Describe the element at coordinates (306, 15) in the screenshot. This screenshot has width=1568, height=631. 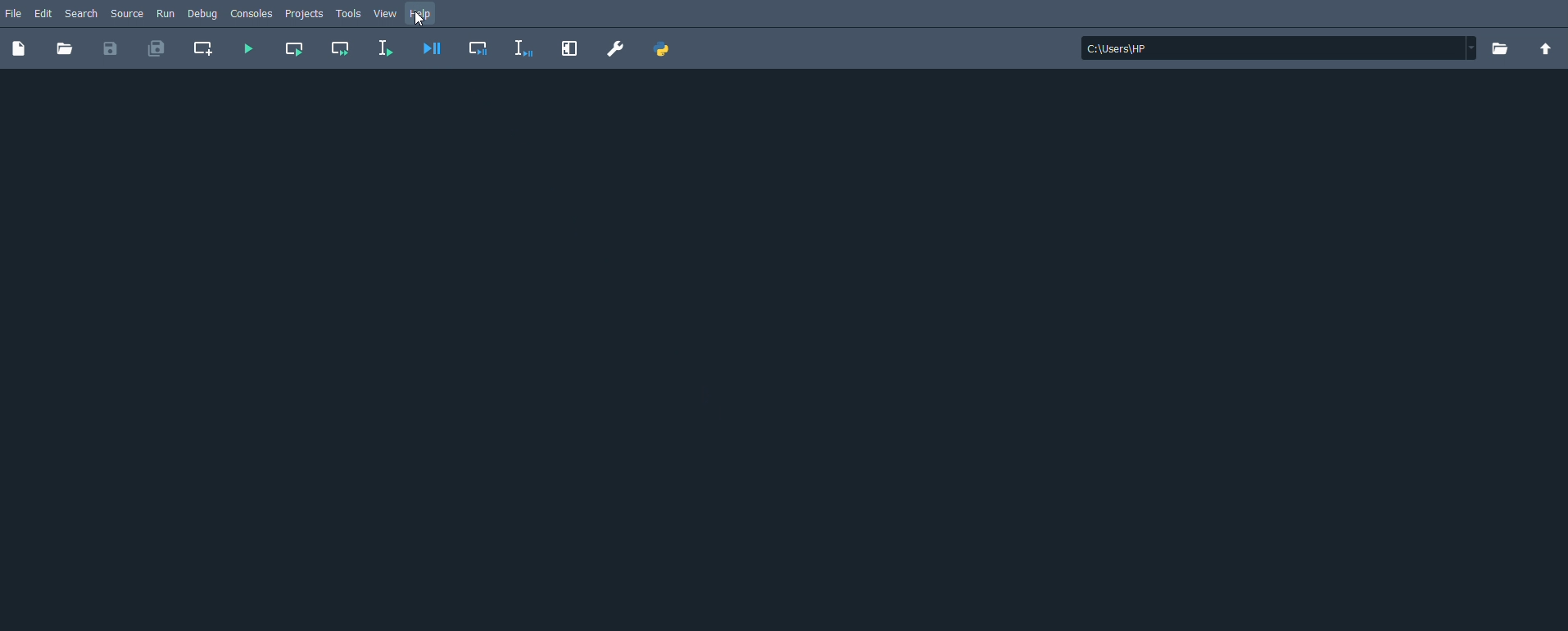
I see `Projects` at that location.